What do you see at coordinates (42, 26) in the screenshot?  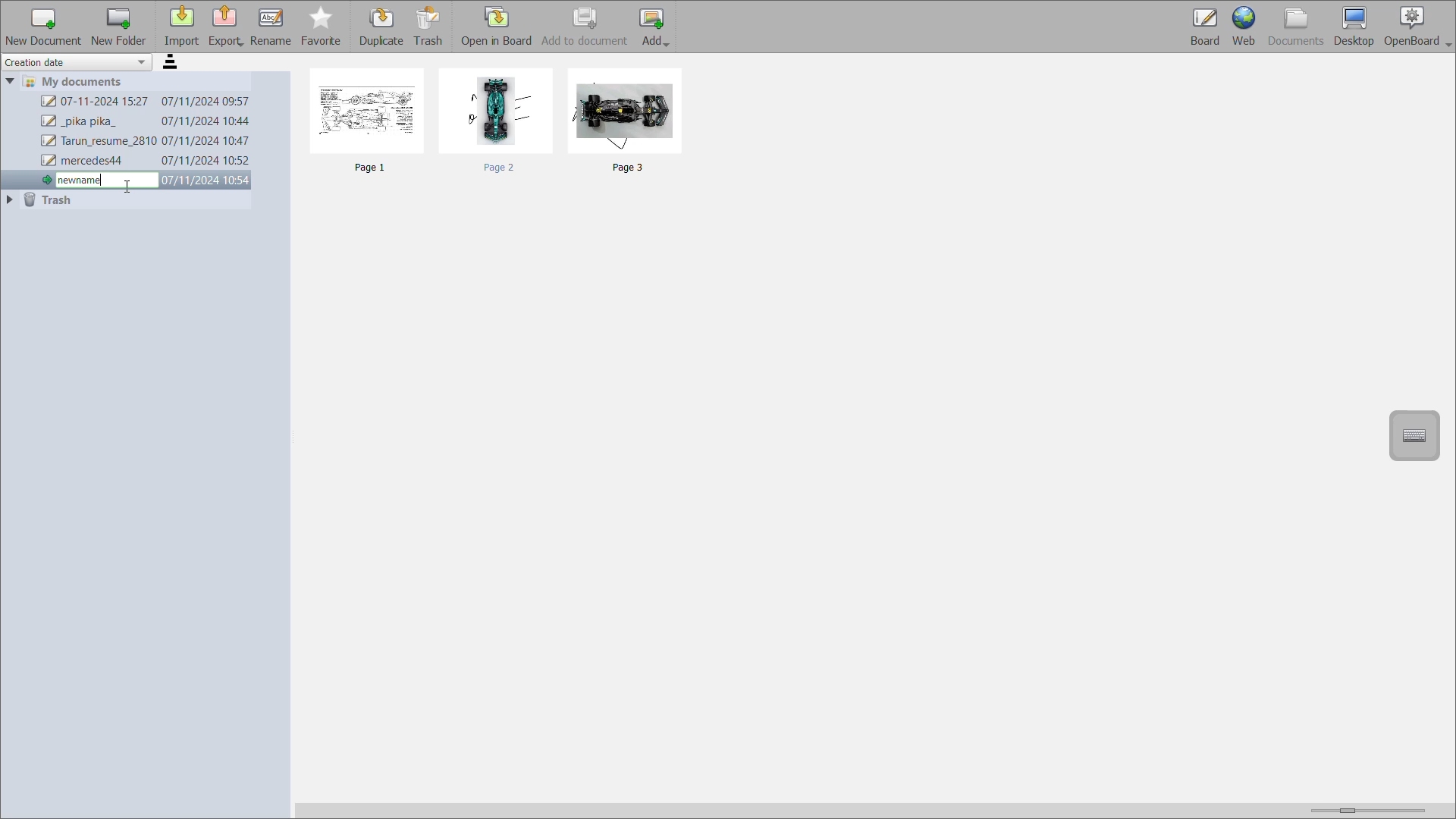 I see `new document` at bounding box center [42, 26].